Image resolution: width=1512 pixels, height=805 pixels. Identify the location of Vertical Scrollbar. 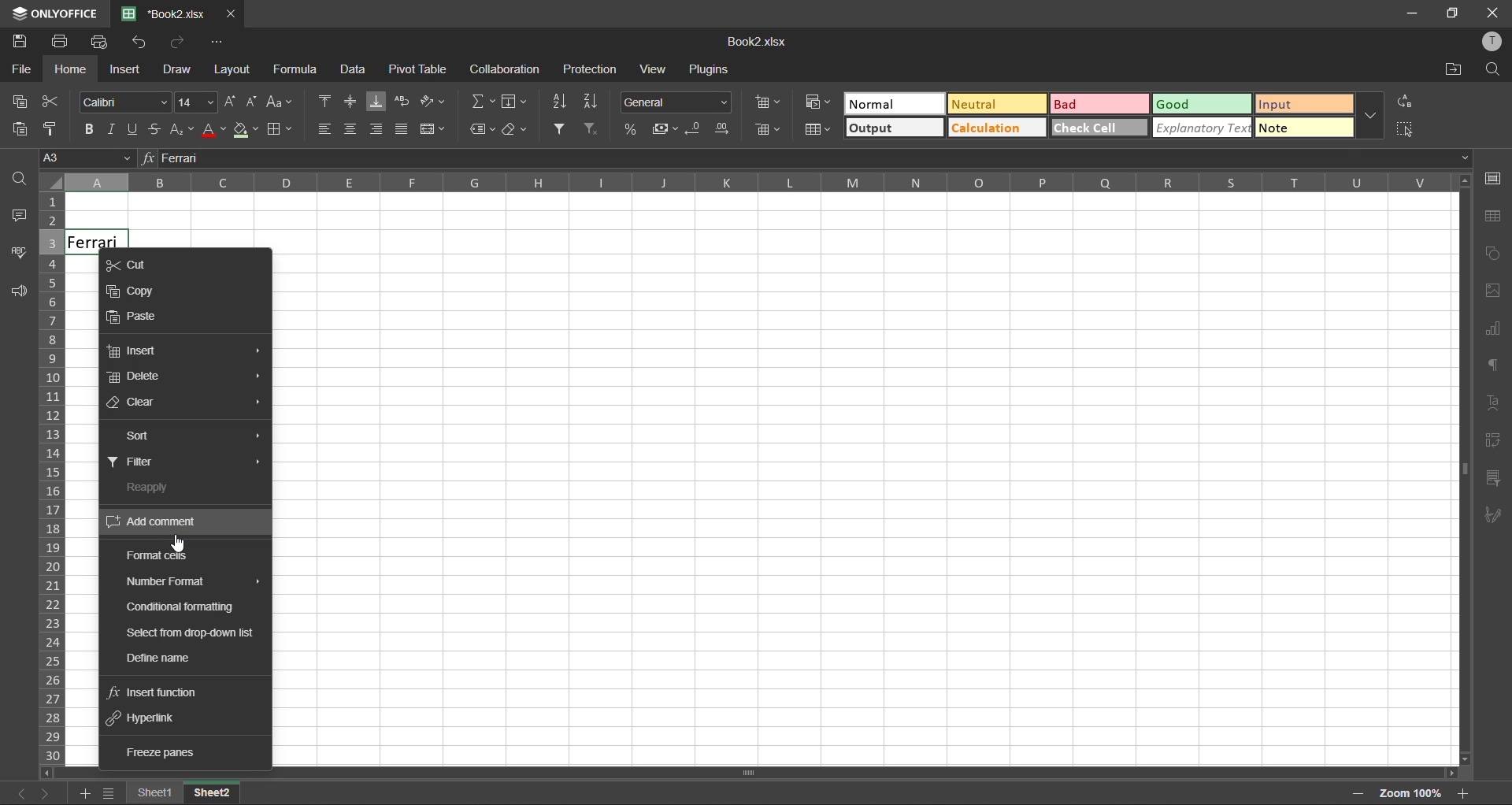
(710, 770).